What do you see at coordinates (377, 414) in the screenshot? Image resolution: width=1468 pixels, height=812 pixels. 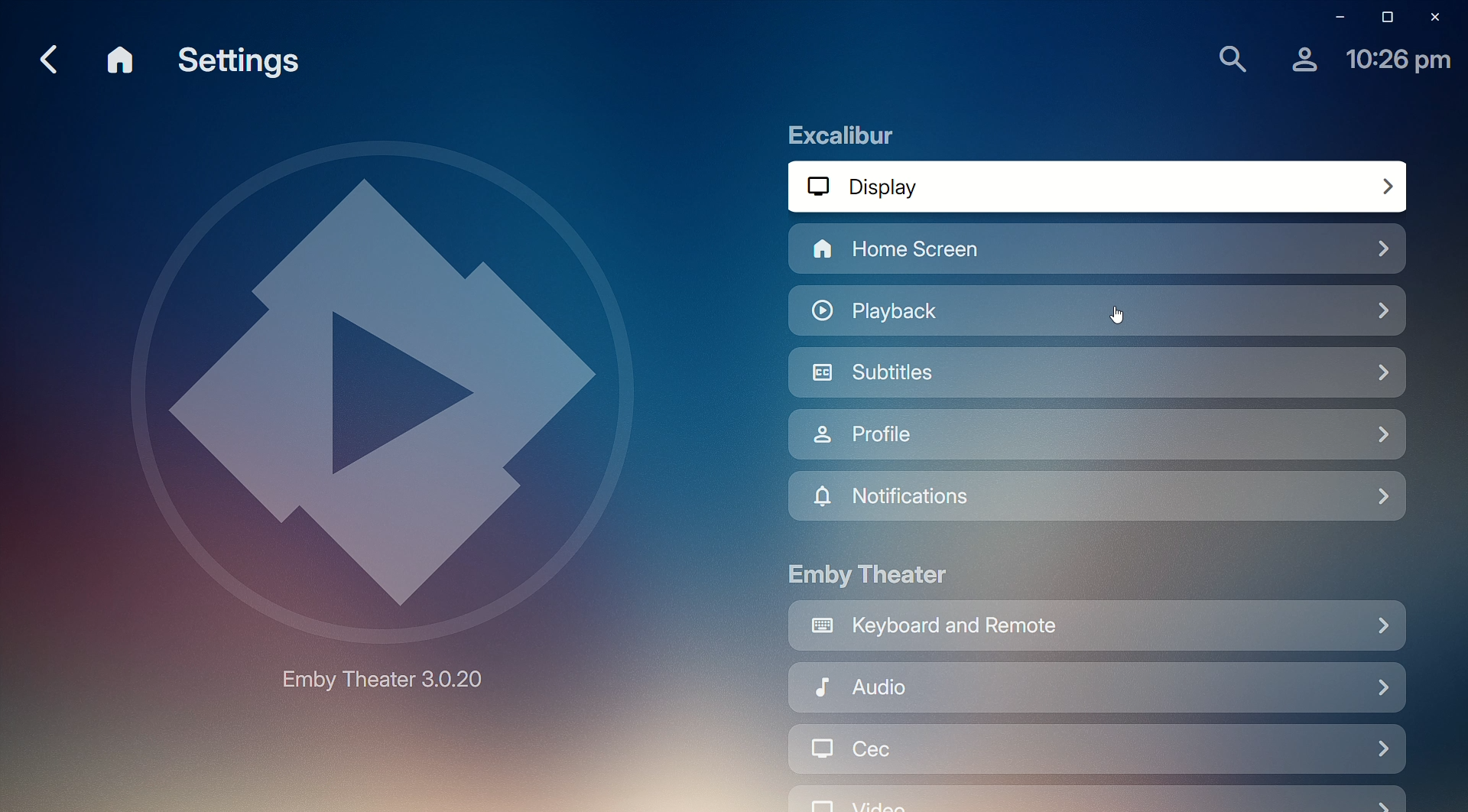 I see `Emby Logo` at bounding box center [377, 414].